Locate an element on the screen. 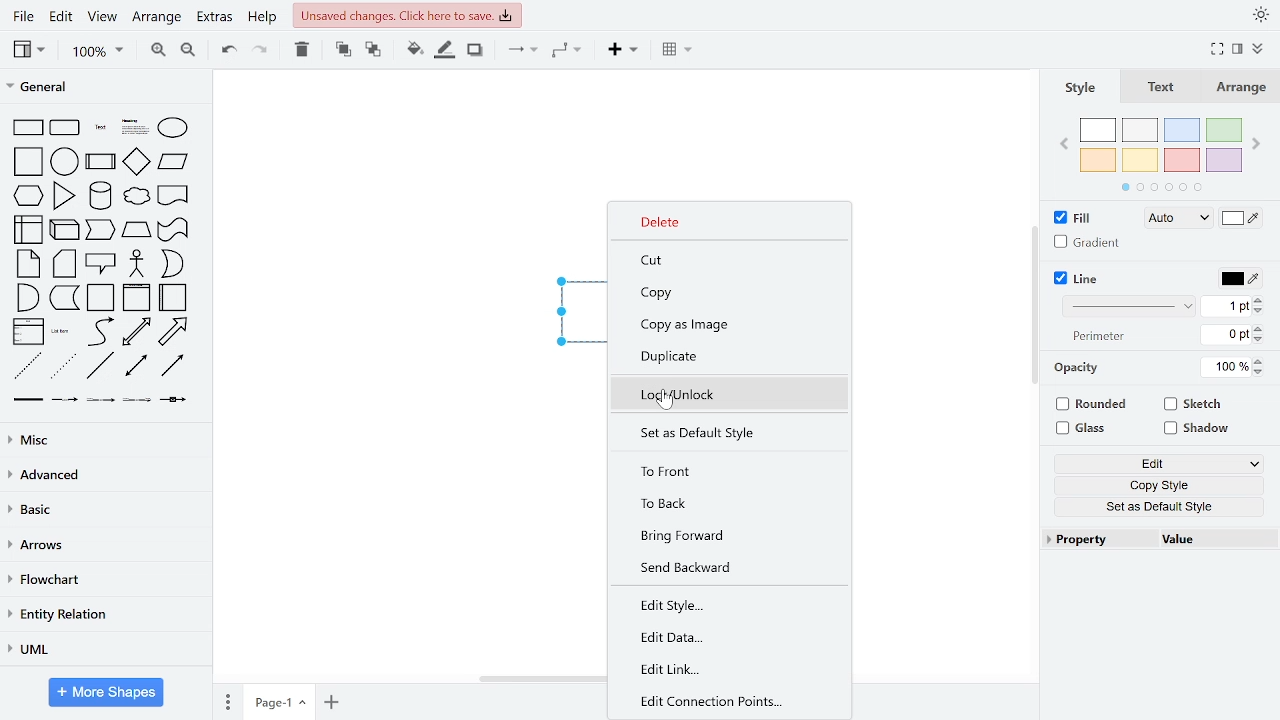 This screenshot has width=1280, height=720. edit style is located at coordinates (723, 604).